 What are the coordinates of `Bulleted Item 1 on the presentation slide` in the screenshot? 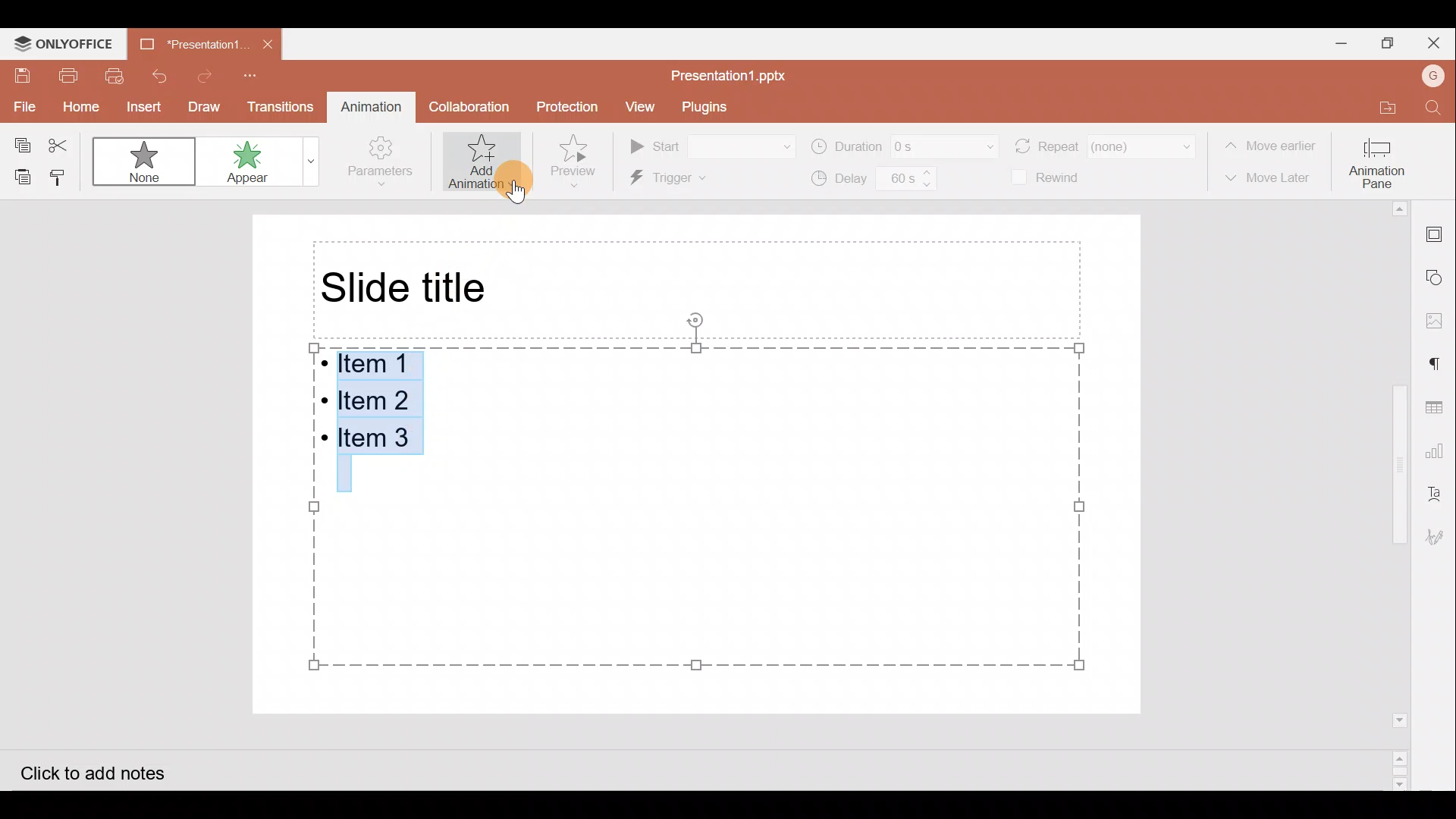 It's located at (372, 365).